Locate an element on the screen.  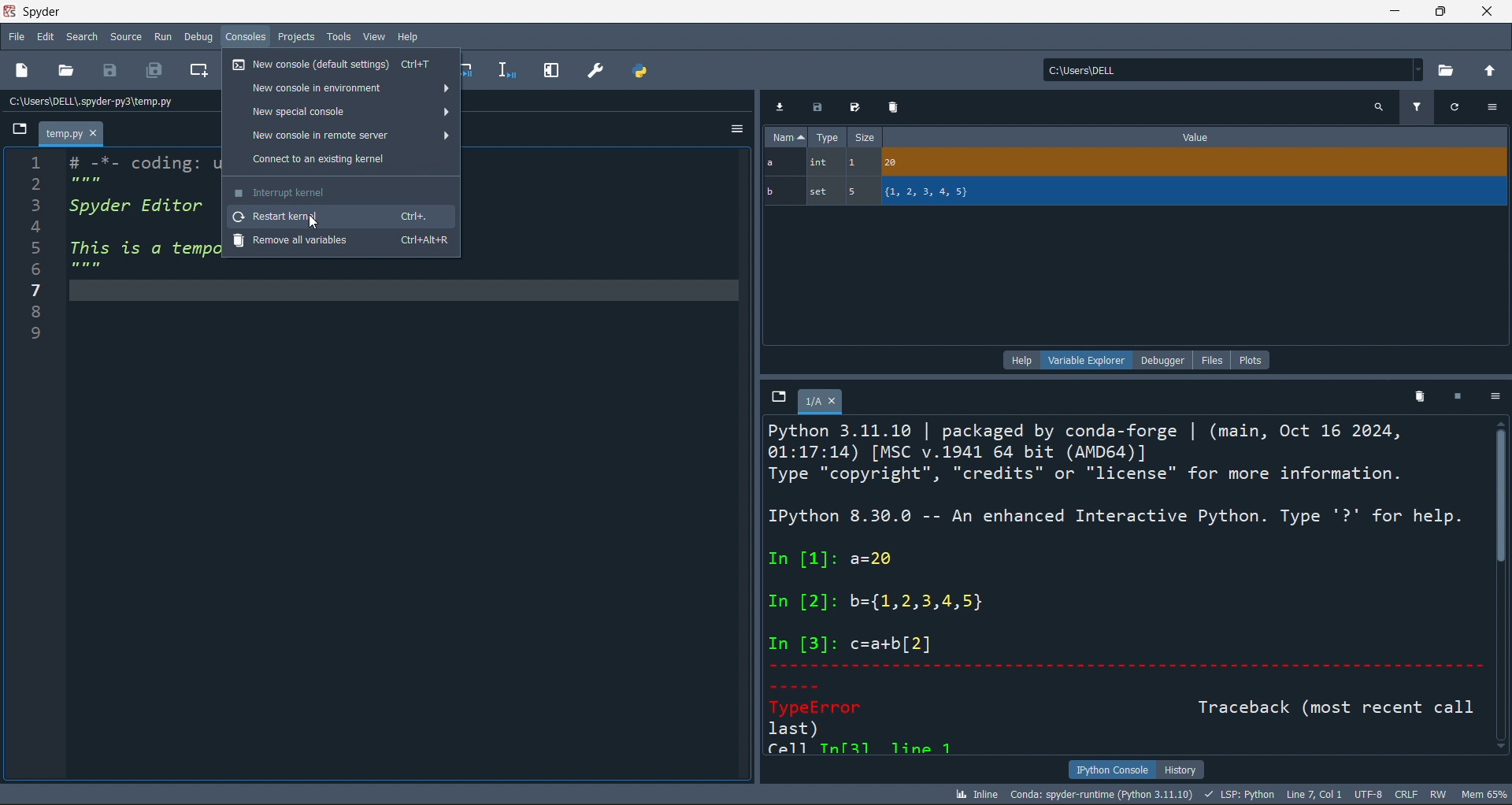
delete kernel is located at coordinates (1421, 399).